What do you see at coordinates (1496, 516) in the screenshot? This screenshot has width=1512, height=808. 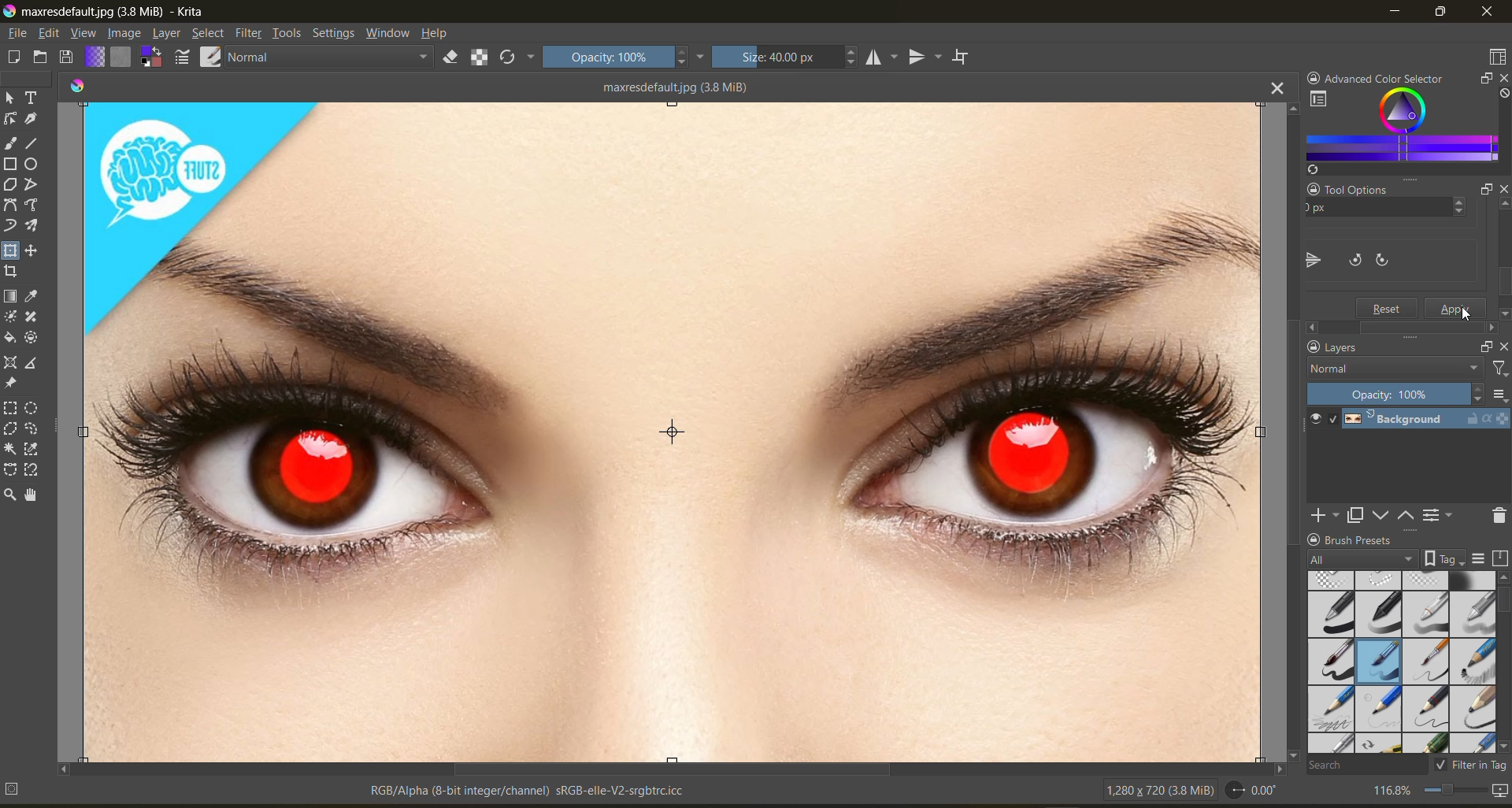 I see `delete the layer` at bounding box center [1496, 516].